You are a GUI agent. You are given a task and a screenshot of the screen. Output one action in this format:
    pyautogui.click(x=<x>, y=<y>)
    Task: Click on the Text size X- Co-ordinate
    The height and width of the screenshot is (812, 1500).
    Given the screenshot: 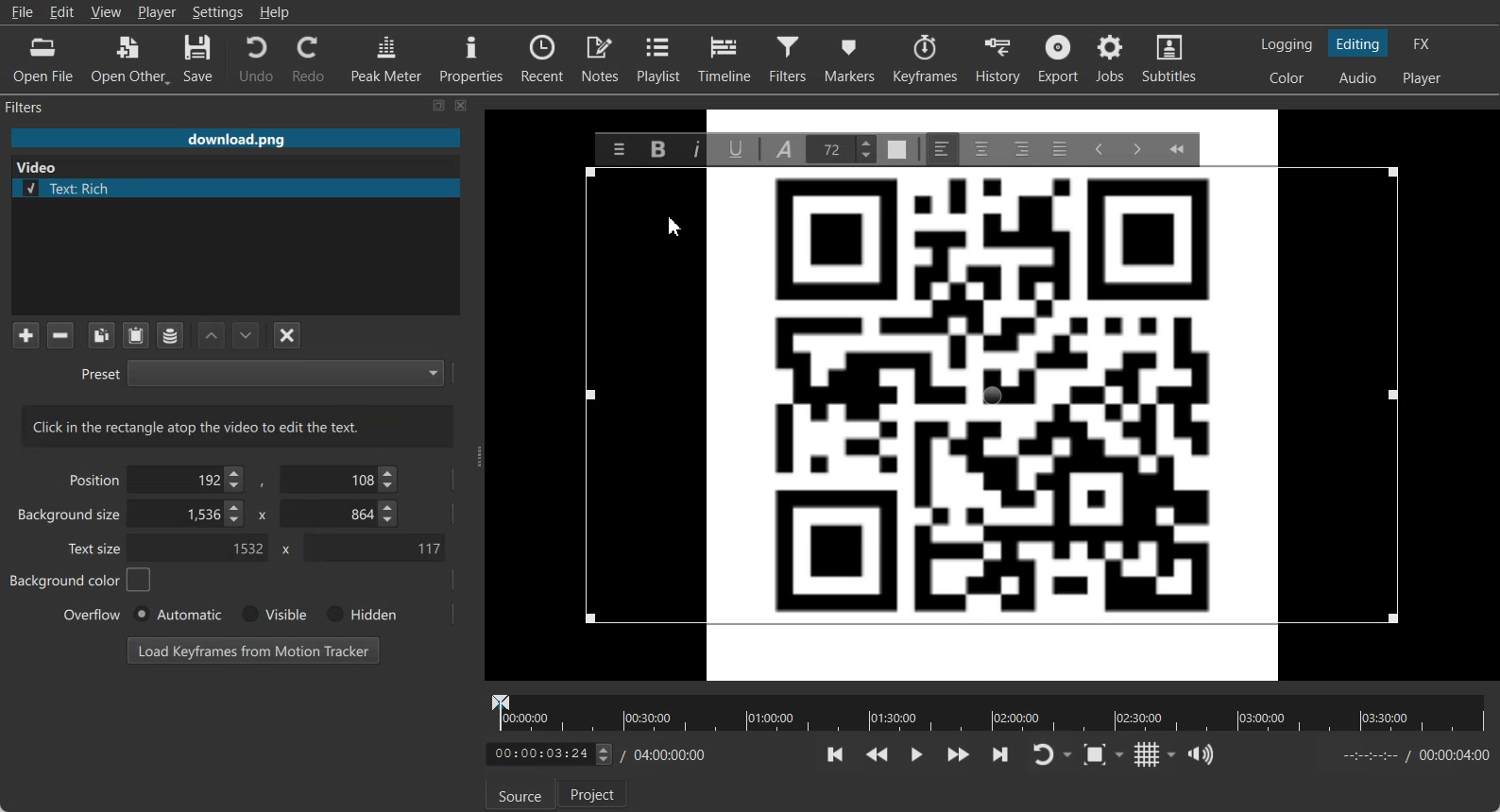 What is the action you would take?
    pyautogui.click(x=200, y=550)
    